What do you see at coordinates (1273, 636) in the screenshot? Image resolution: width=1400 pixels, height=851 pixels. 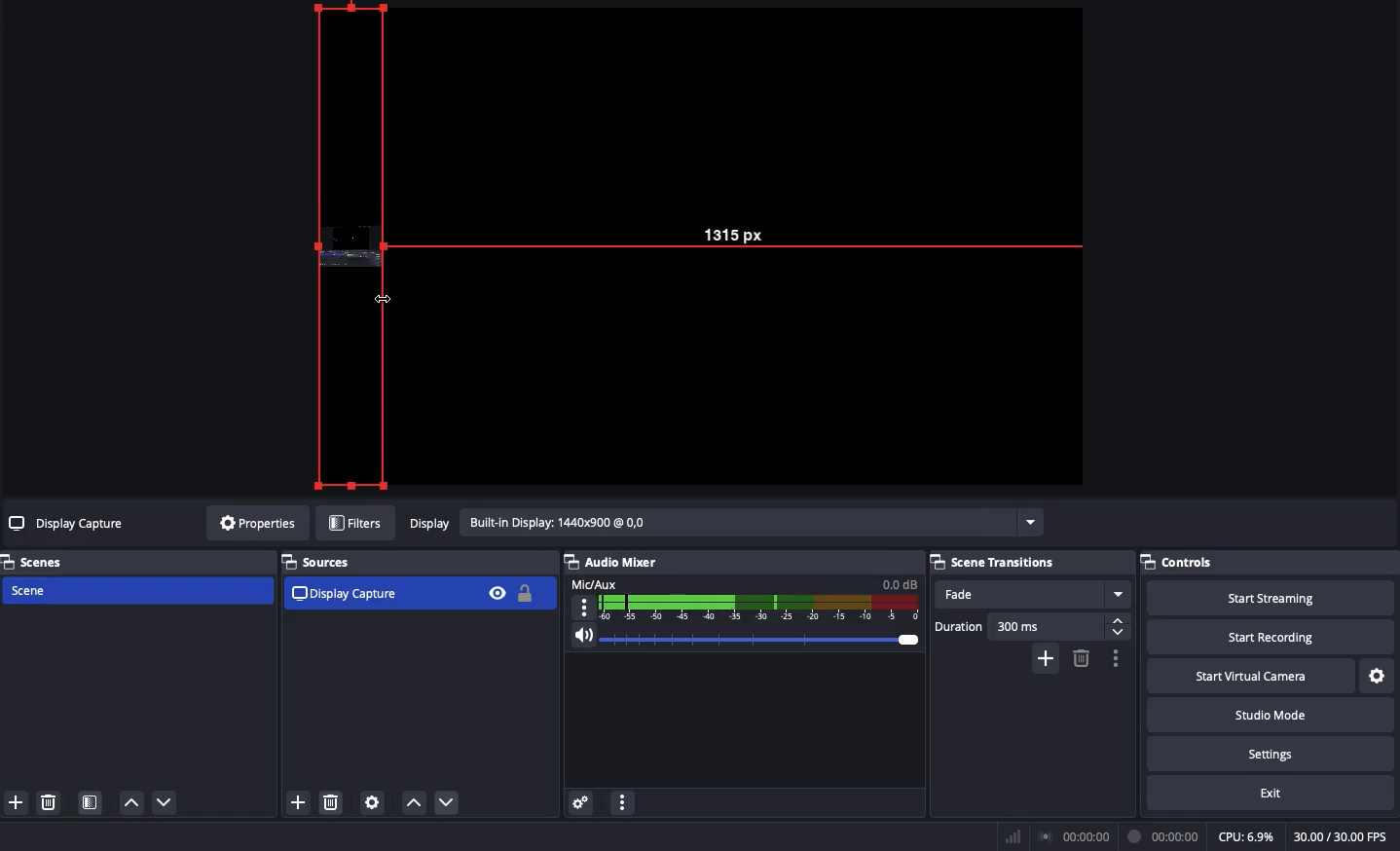 I see `Start recording` at bounding box center [1273, 636].